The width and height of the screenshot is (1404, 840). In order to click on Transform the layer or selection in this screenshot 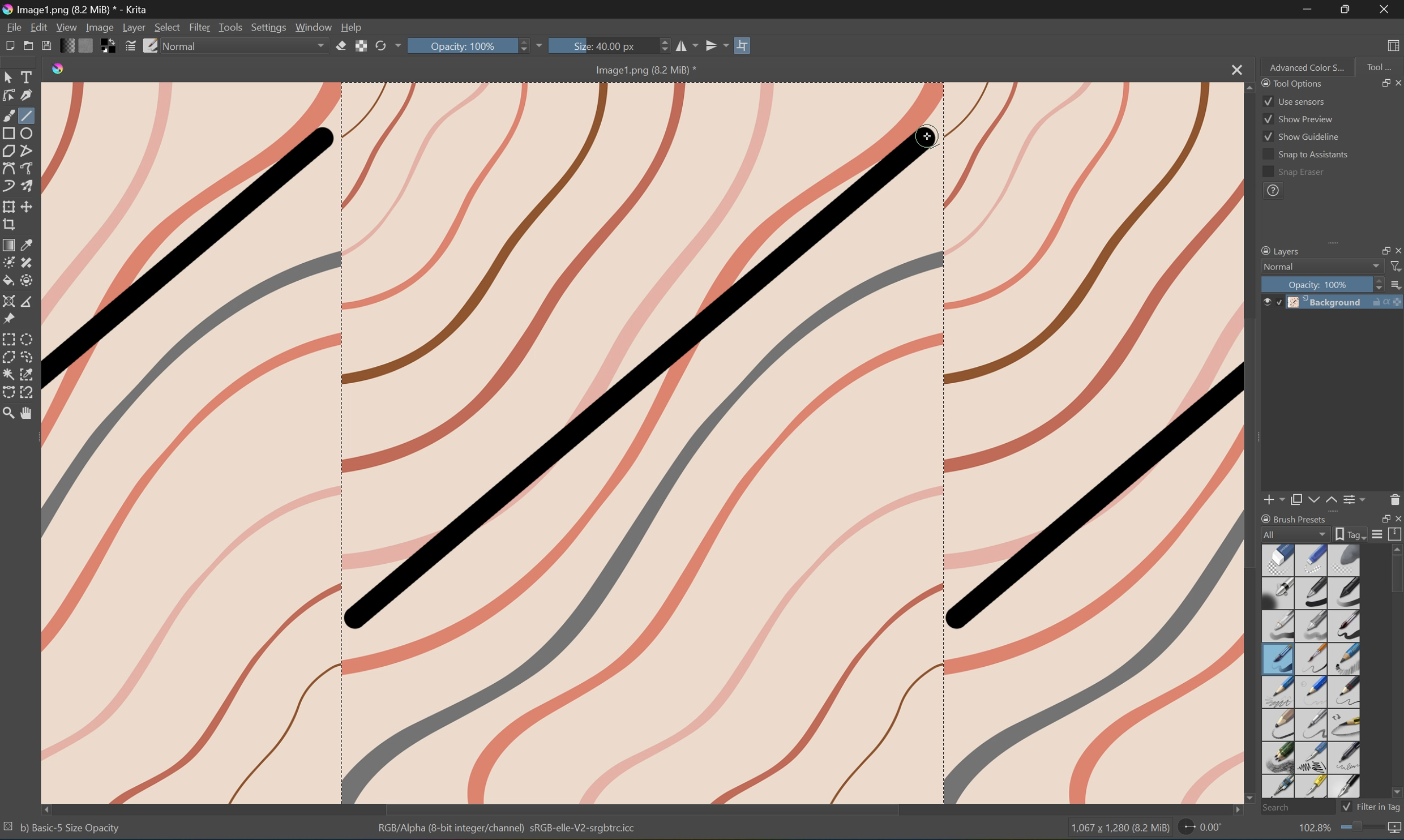, I will do `click(9, 206)`.